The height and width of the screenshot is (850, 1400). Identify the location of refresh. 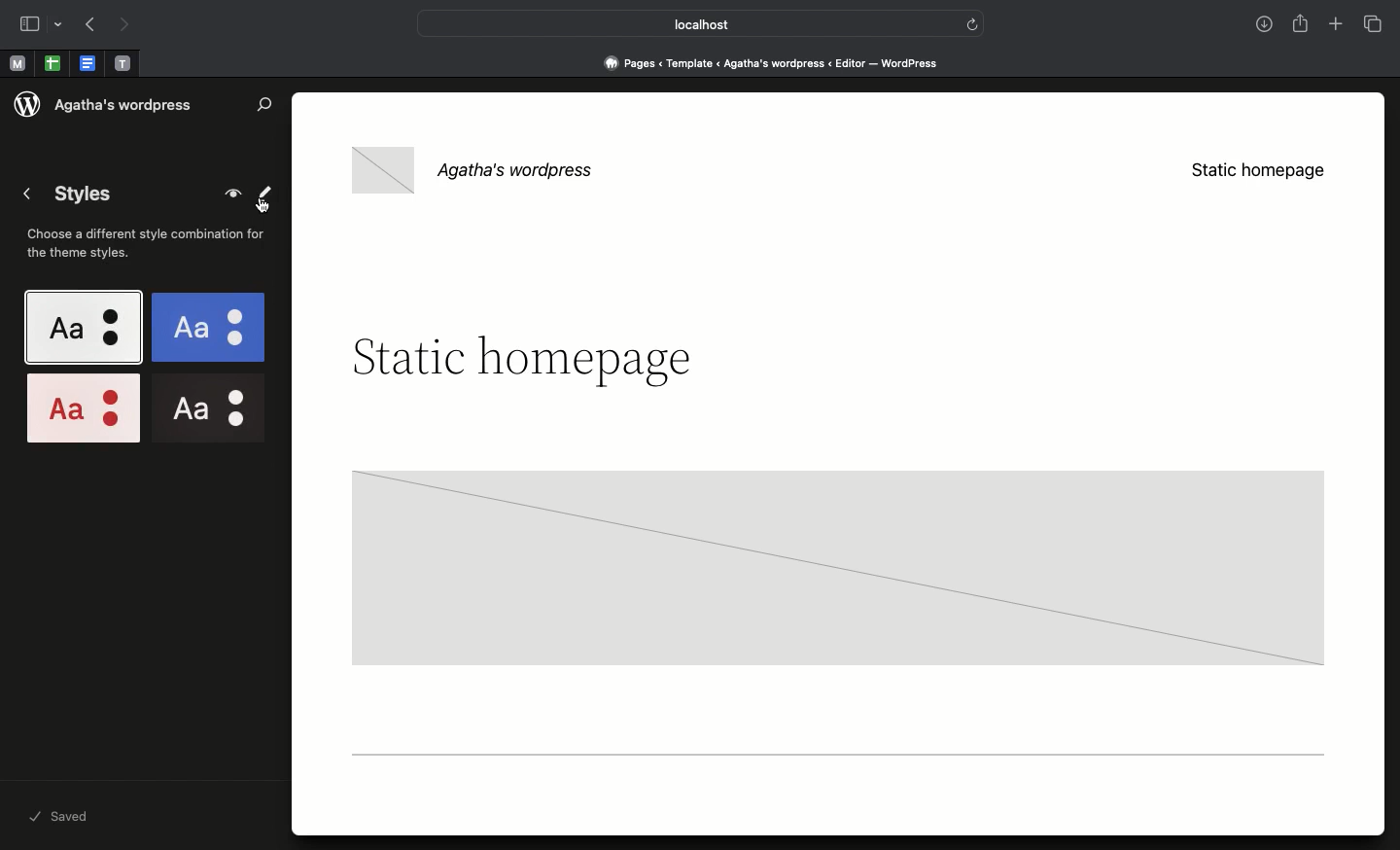
(972, 22).